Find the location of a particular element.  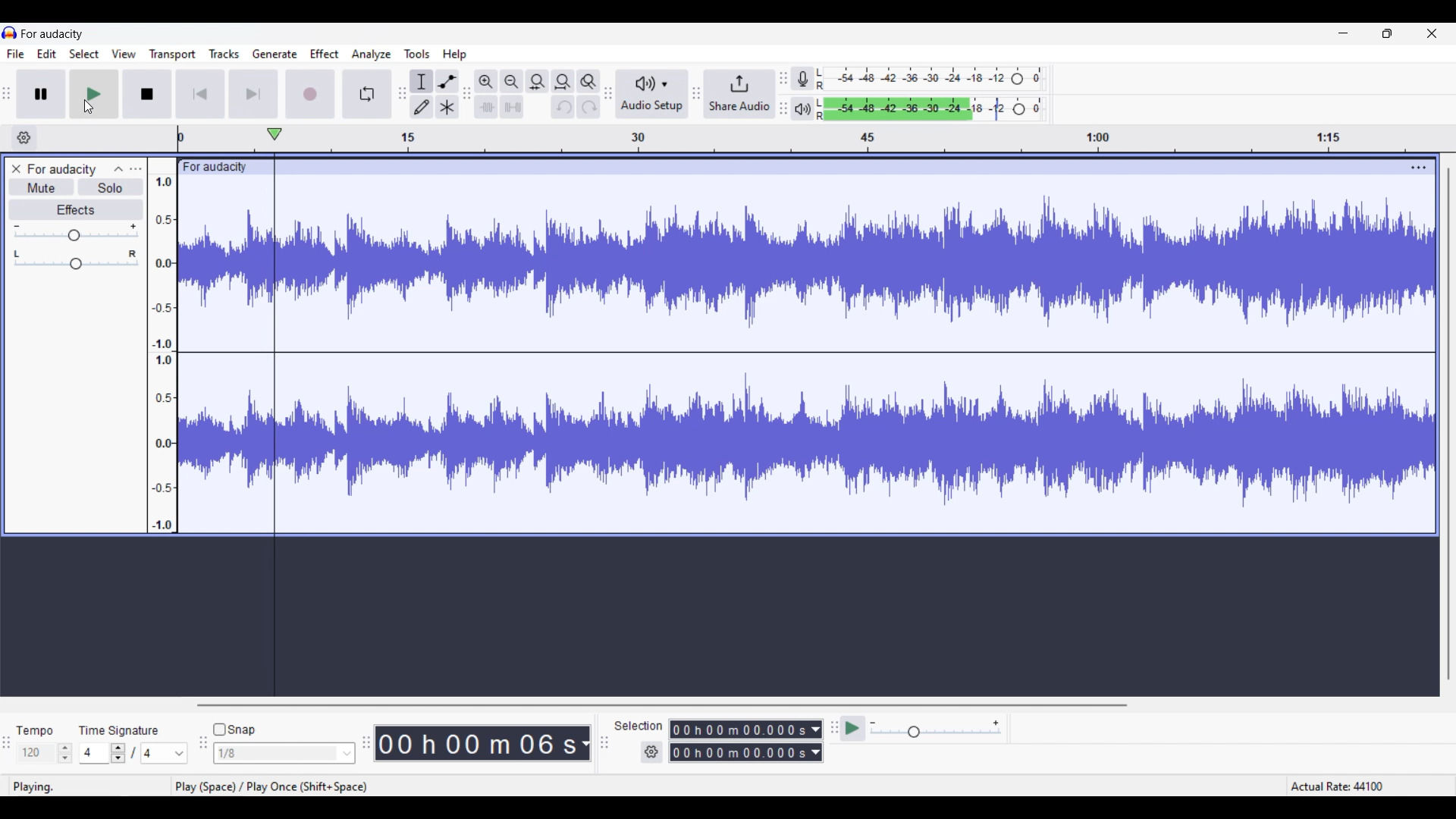

Playhead starting from beginning of track after jumping to start is located at coordinates (275, 411).